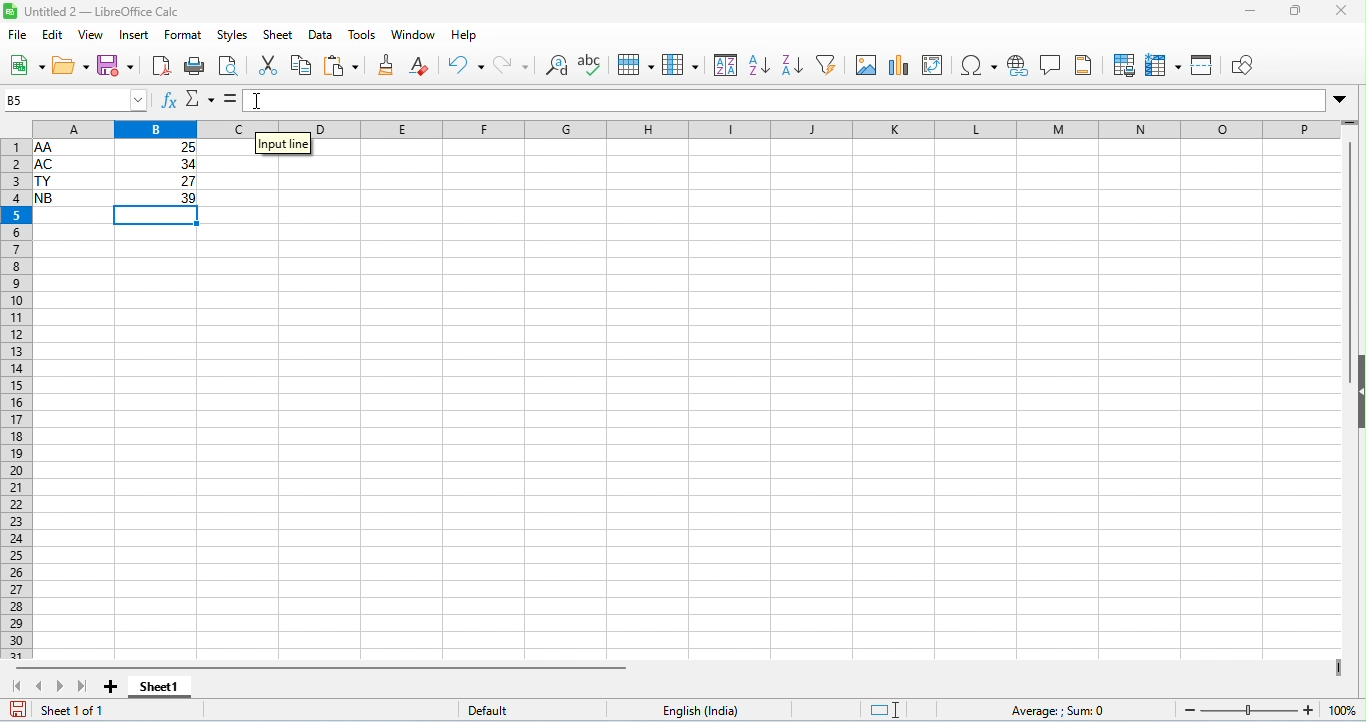  Describe the element at coordinates (1264, 709) in the screenshot. I see `zoom` at that location.